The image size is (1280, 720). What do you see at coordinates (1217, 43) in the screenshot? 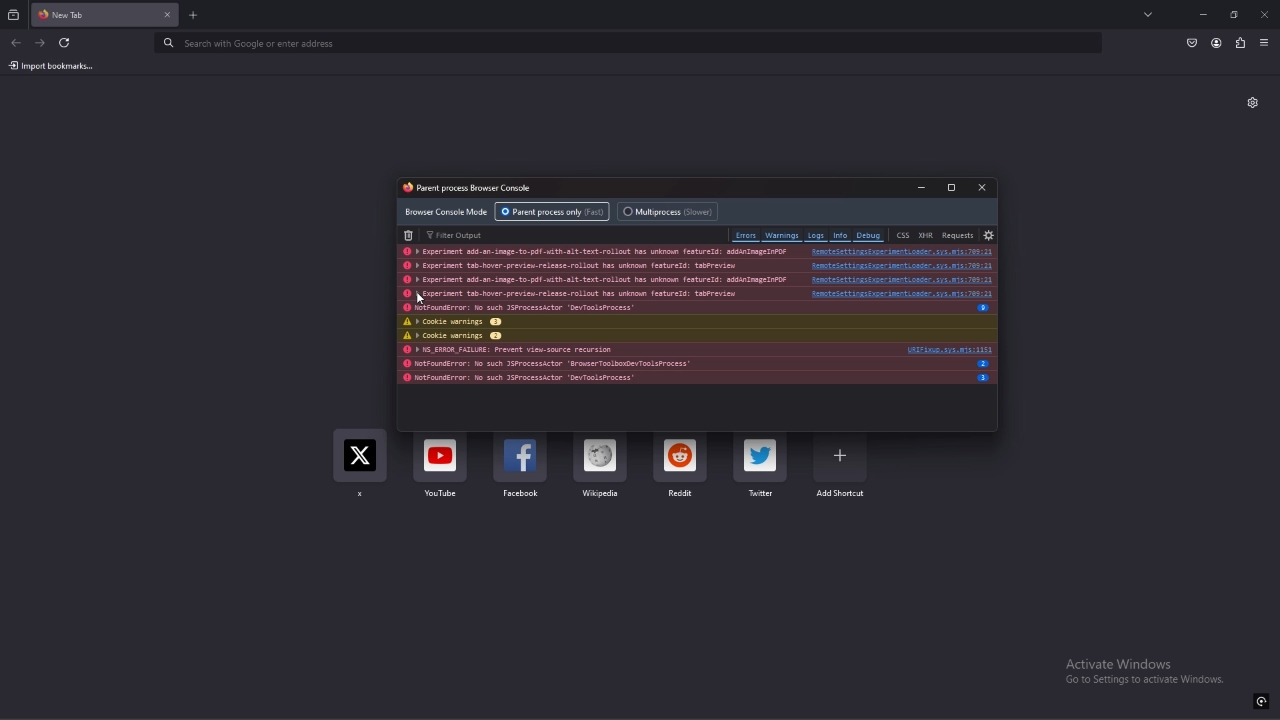
I see `profile` at bounding box center [1217, 43].